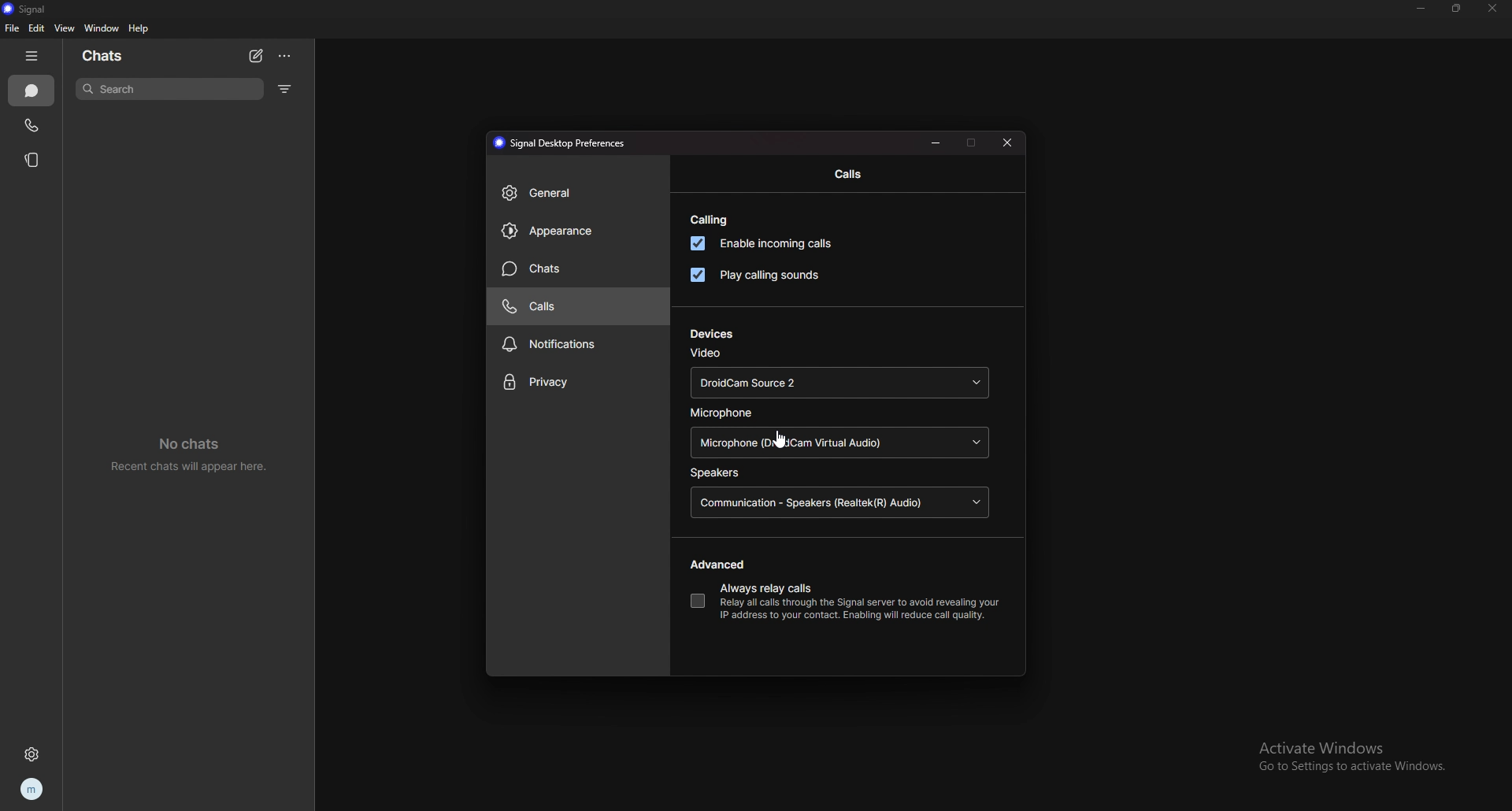  I want to click on minimize, so click(937, 142).